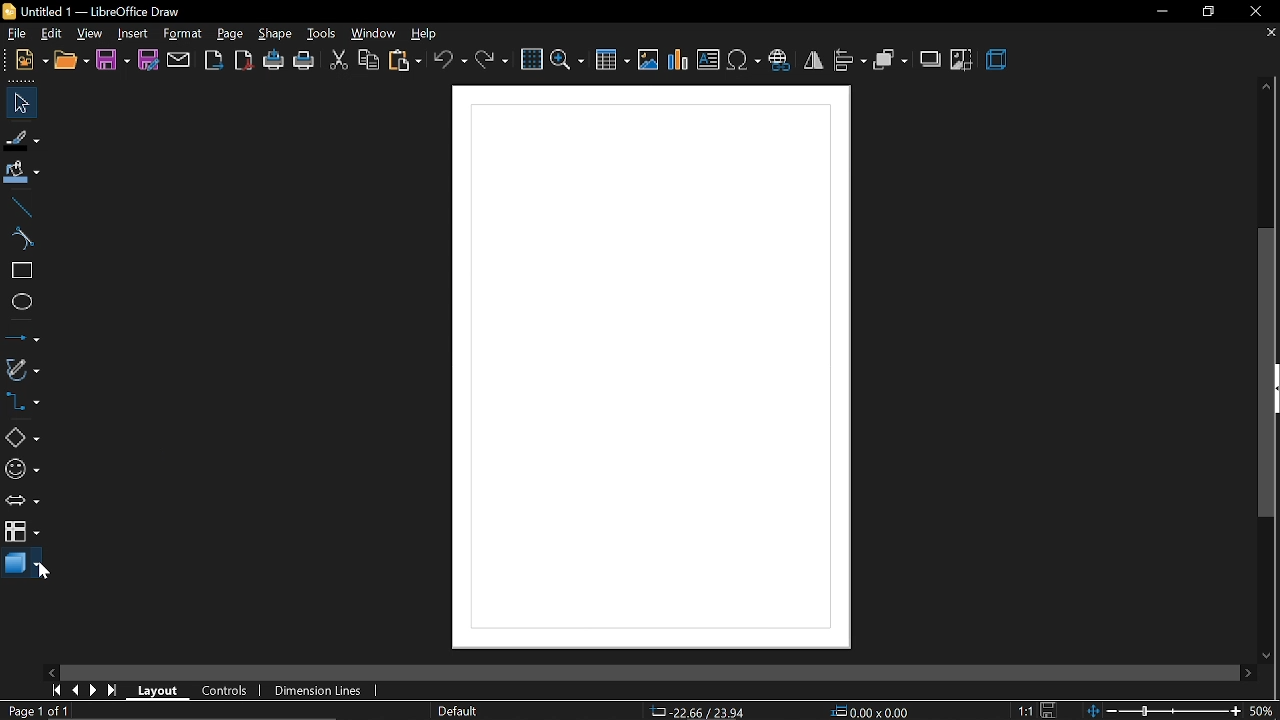 The width and height of the screenshot is (1280, 720). Describe the element at coordinates (1250, 672) in the screenshot. I see `move right` at that location.